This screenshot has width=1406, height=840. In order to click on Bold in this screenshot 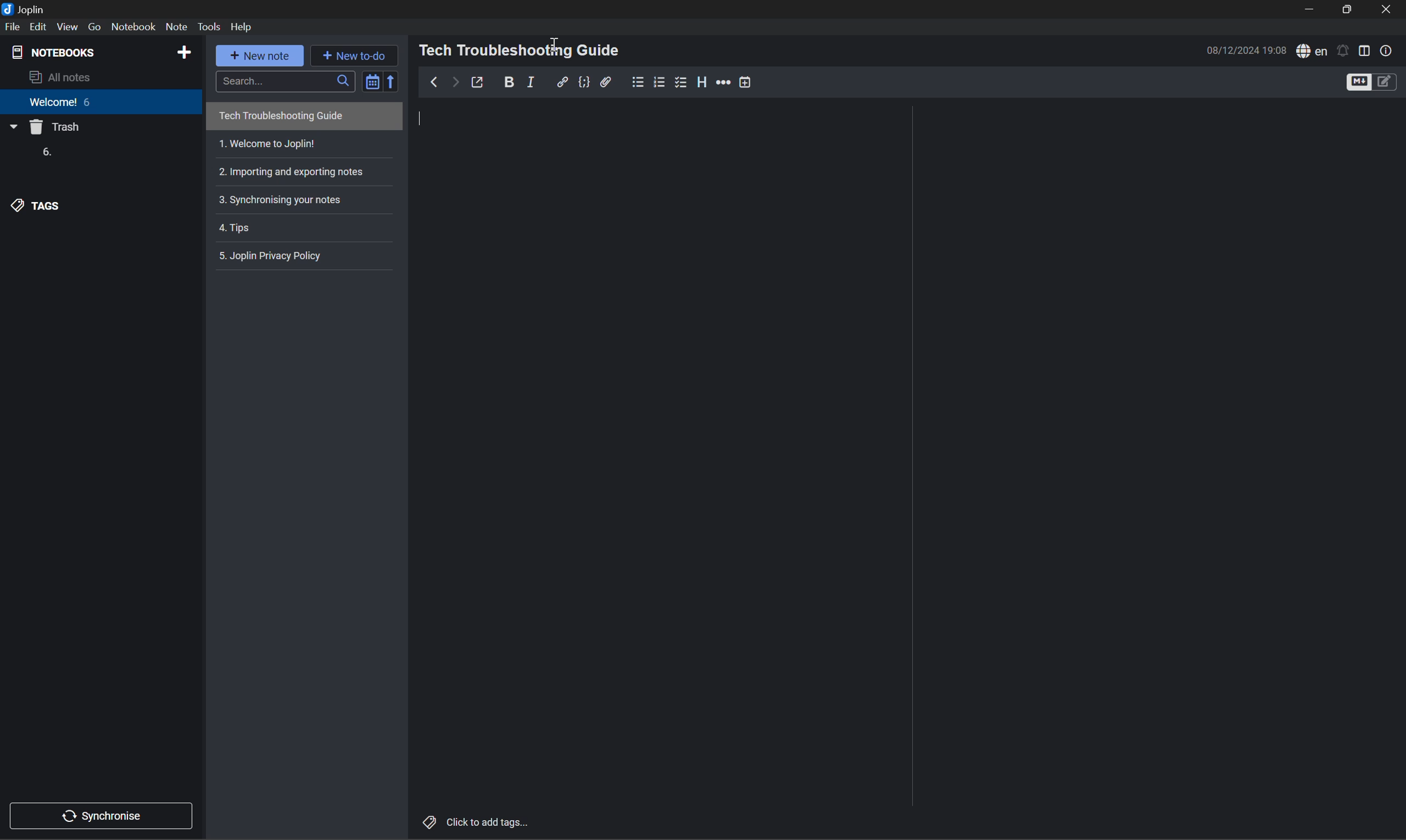, I will do `click(509, 81)`.